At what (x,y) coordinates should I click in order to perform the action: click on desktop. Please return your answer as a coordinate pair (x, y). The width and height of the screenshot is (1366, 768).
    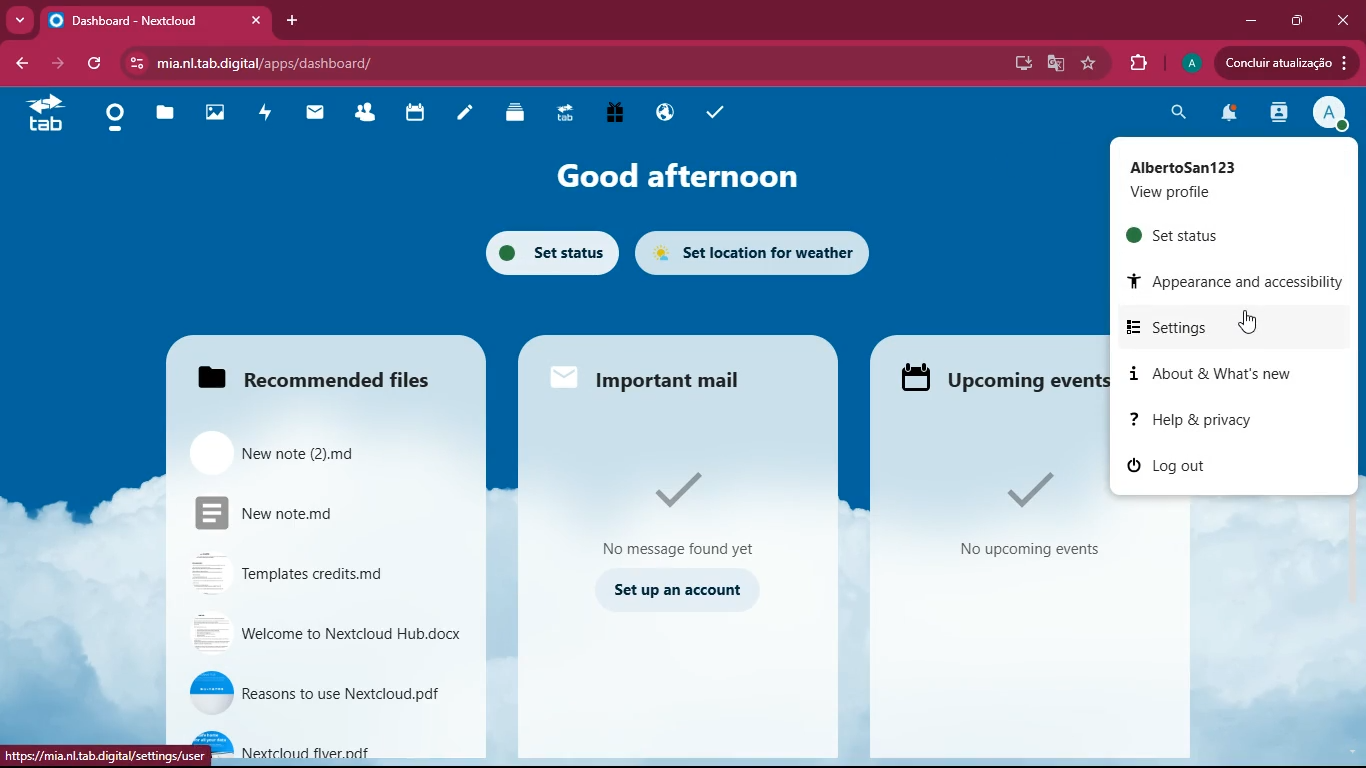
    Looking at the image, I should click on (1018, 64).